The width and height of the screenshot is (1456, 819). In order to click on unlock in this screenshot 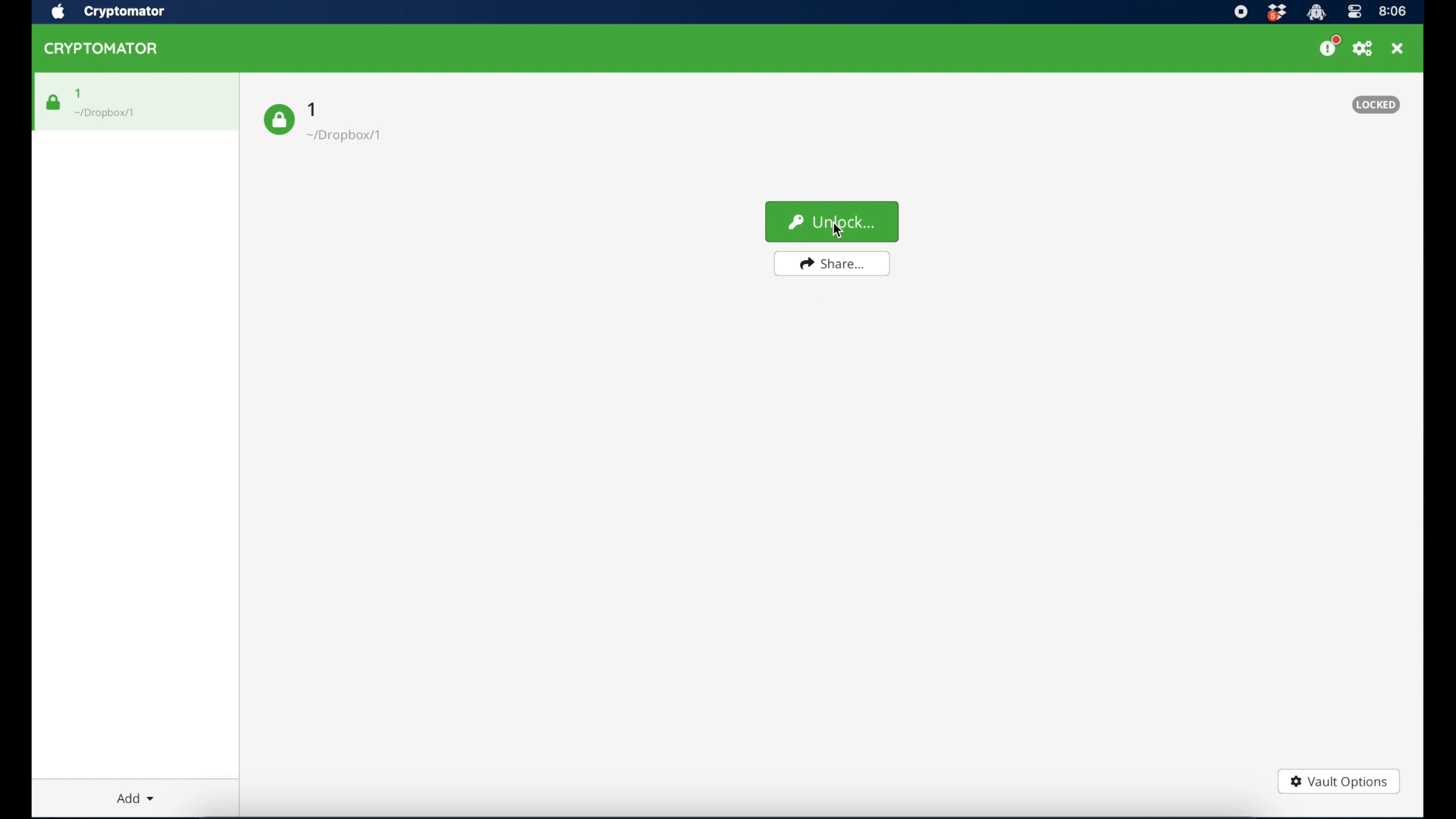, I will do `click(832, 222)`.